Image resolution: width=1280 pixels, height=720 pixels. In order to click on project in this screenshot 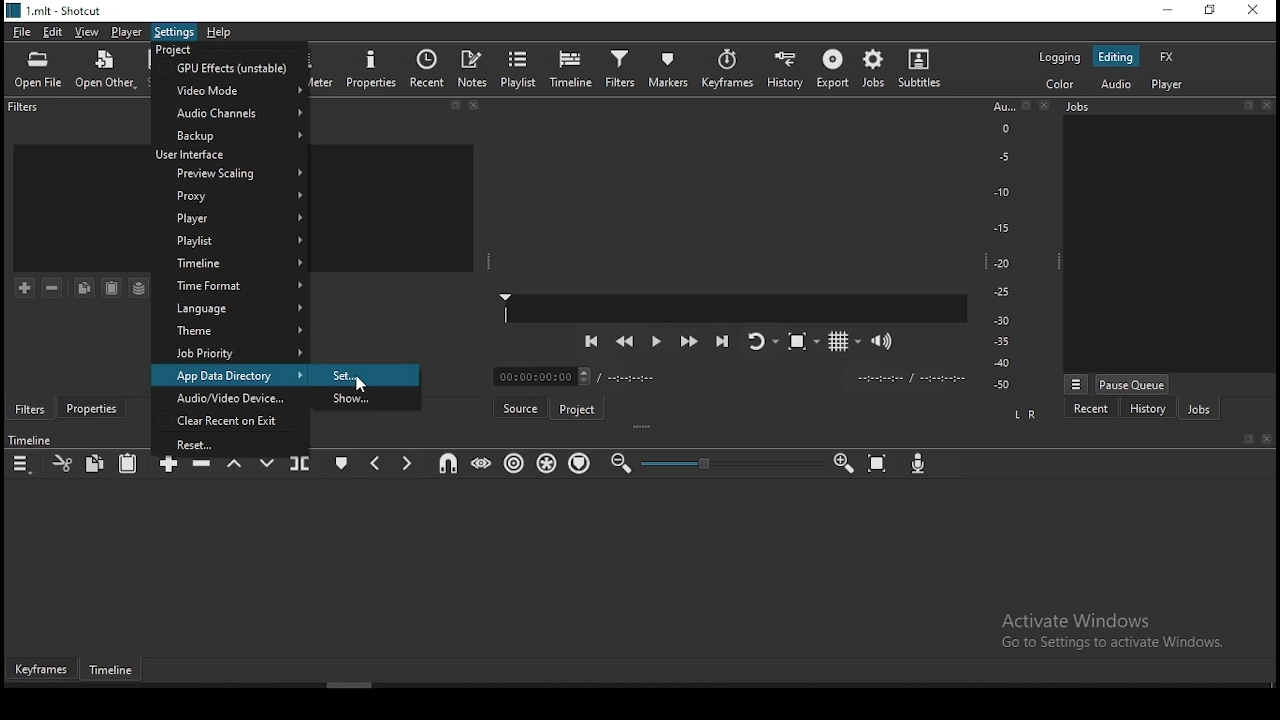, I will do `click(579, 406)`.